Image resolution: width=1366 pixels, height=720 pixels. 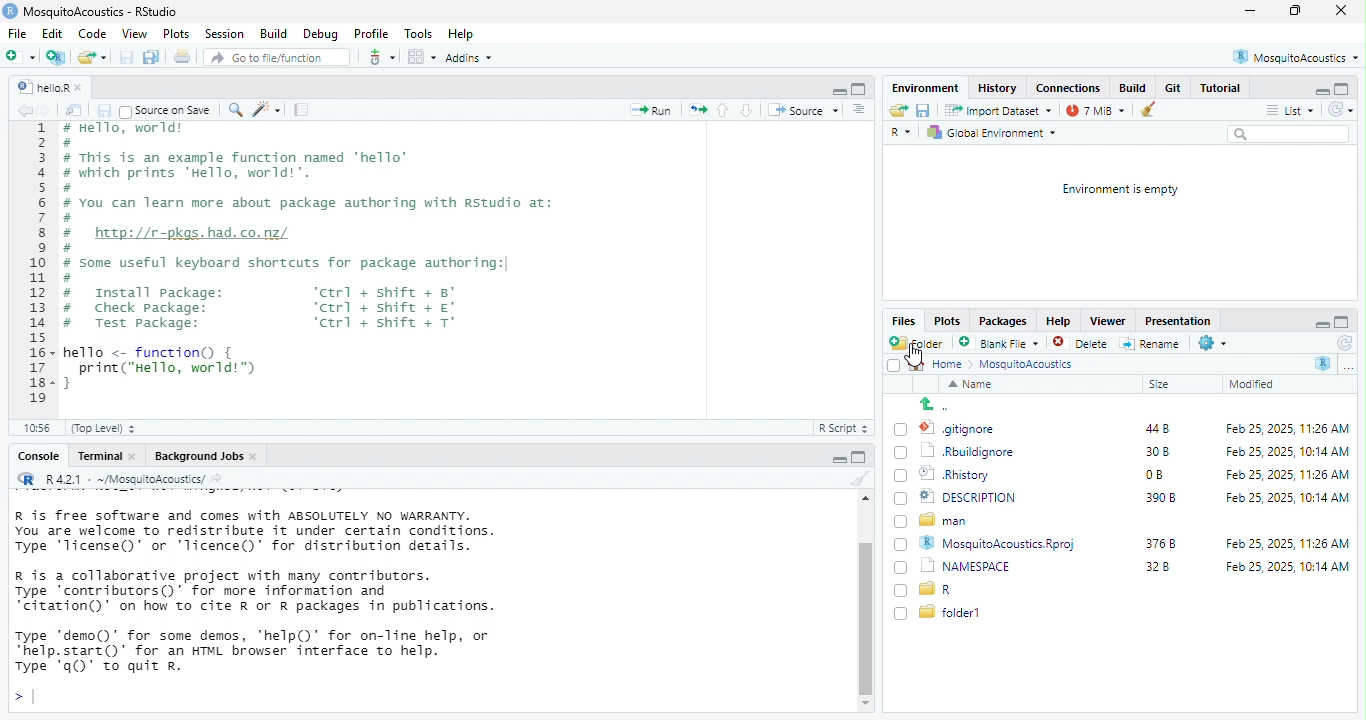 What do you see at coordinates (928, 112) in the screenshot?
I see `save current document` at bounding box center [928, 112].